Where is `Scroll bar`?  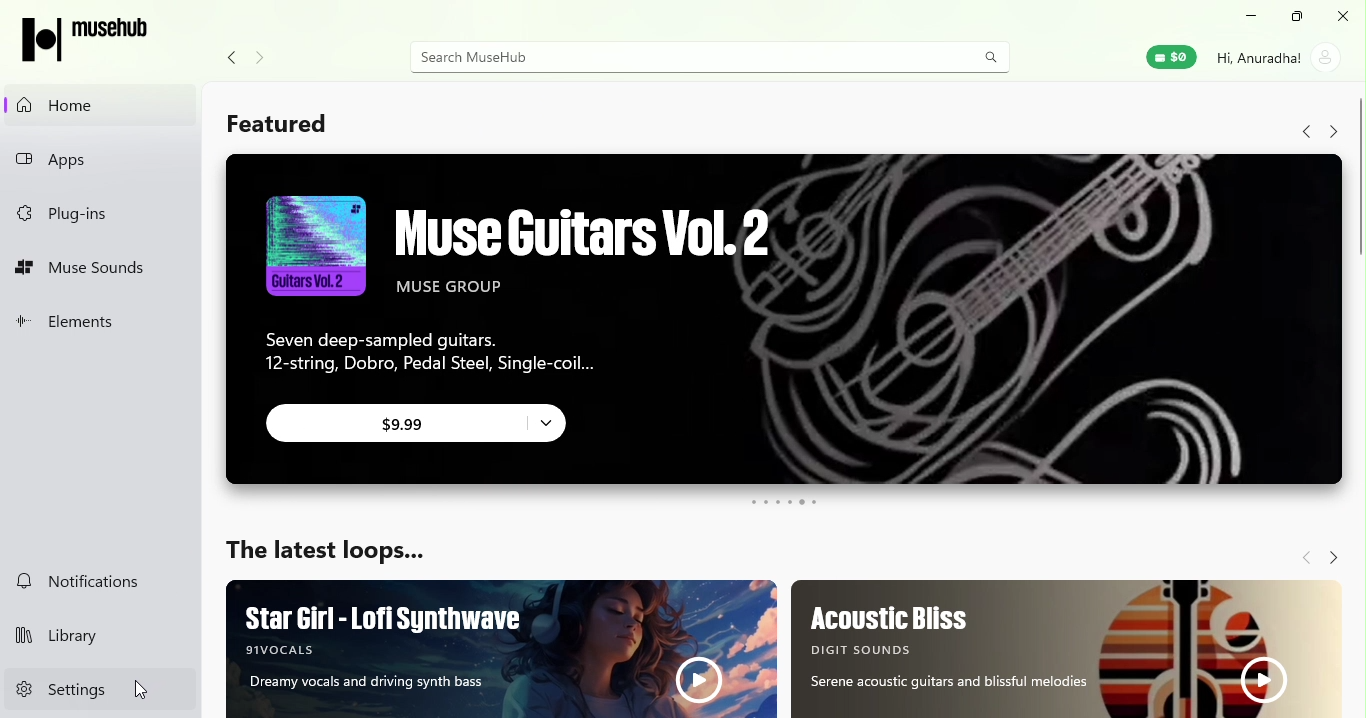 Scroll bar is located at coordinates (1358, 402).